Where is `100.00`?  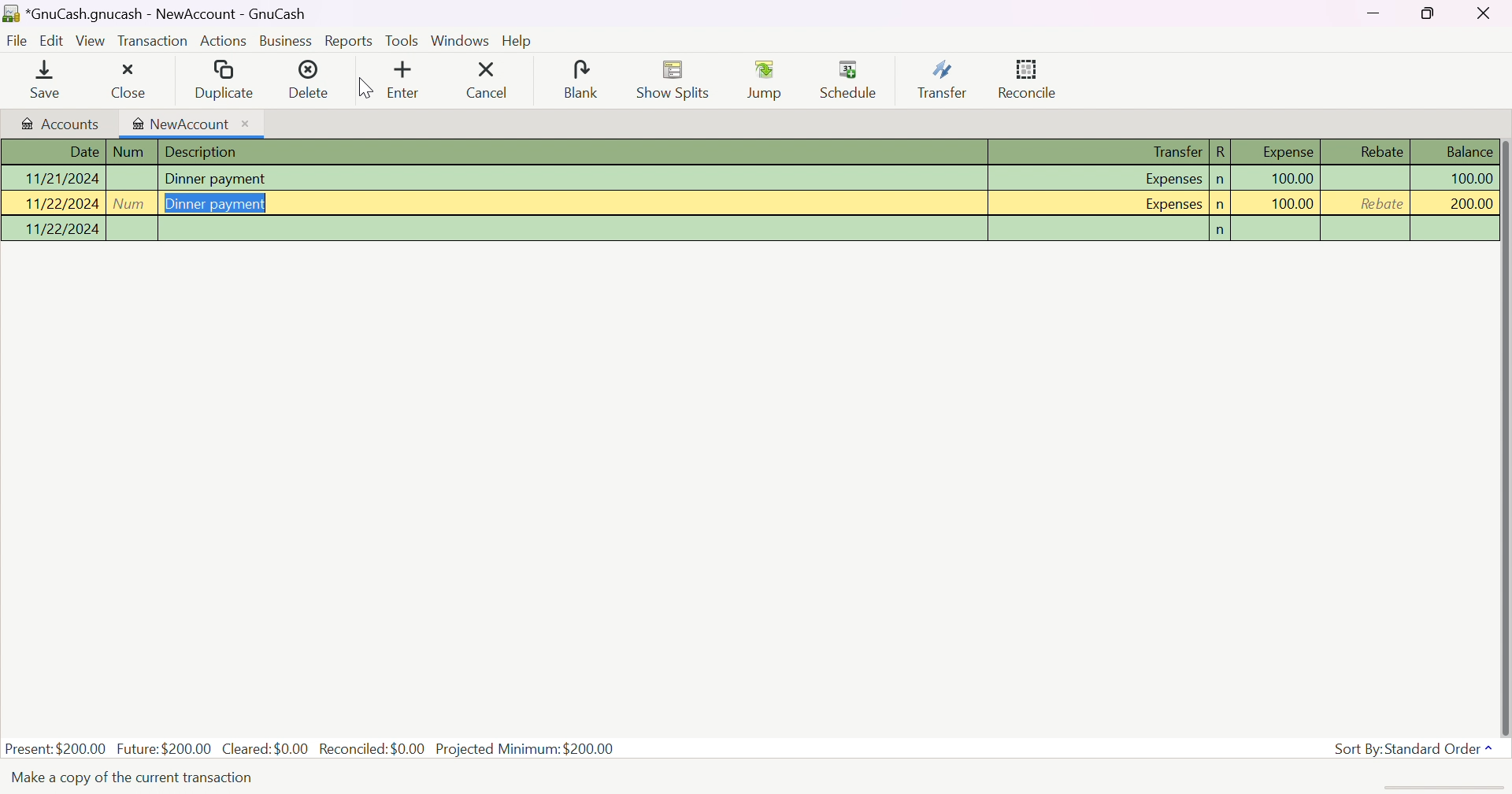
100.00 is located at coordinates (1293, 202).